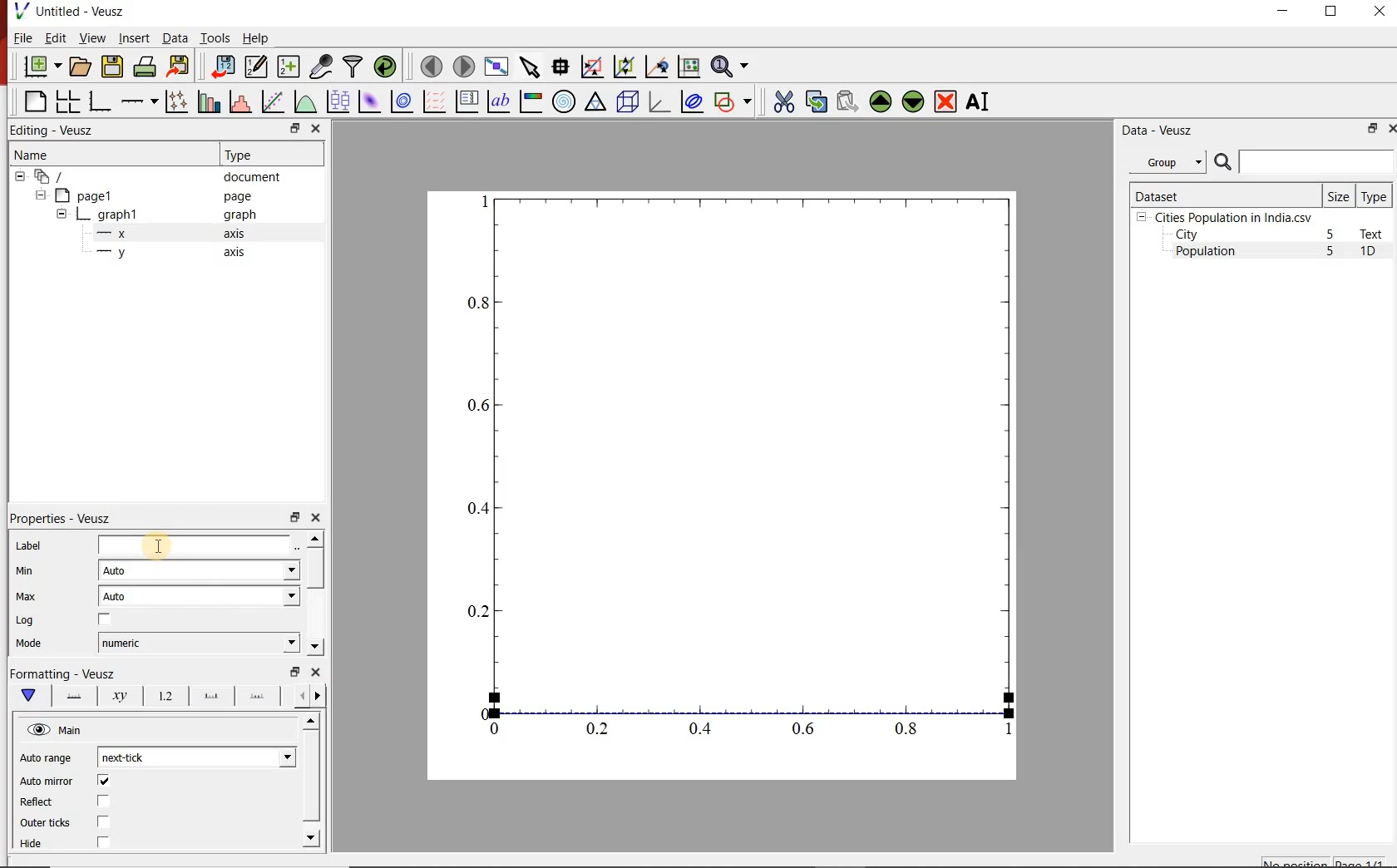  Describe the element at coordinates (214, 37) in the screenshot. I see `Tools` at that location.